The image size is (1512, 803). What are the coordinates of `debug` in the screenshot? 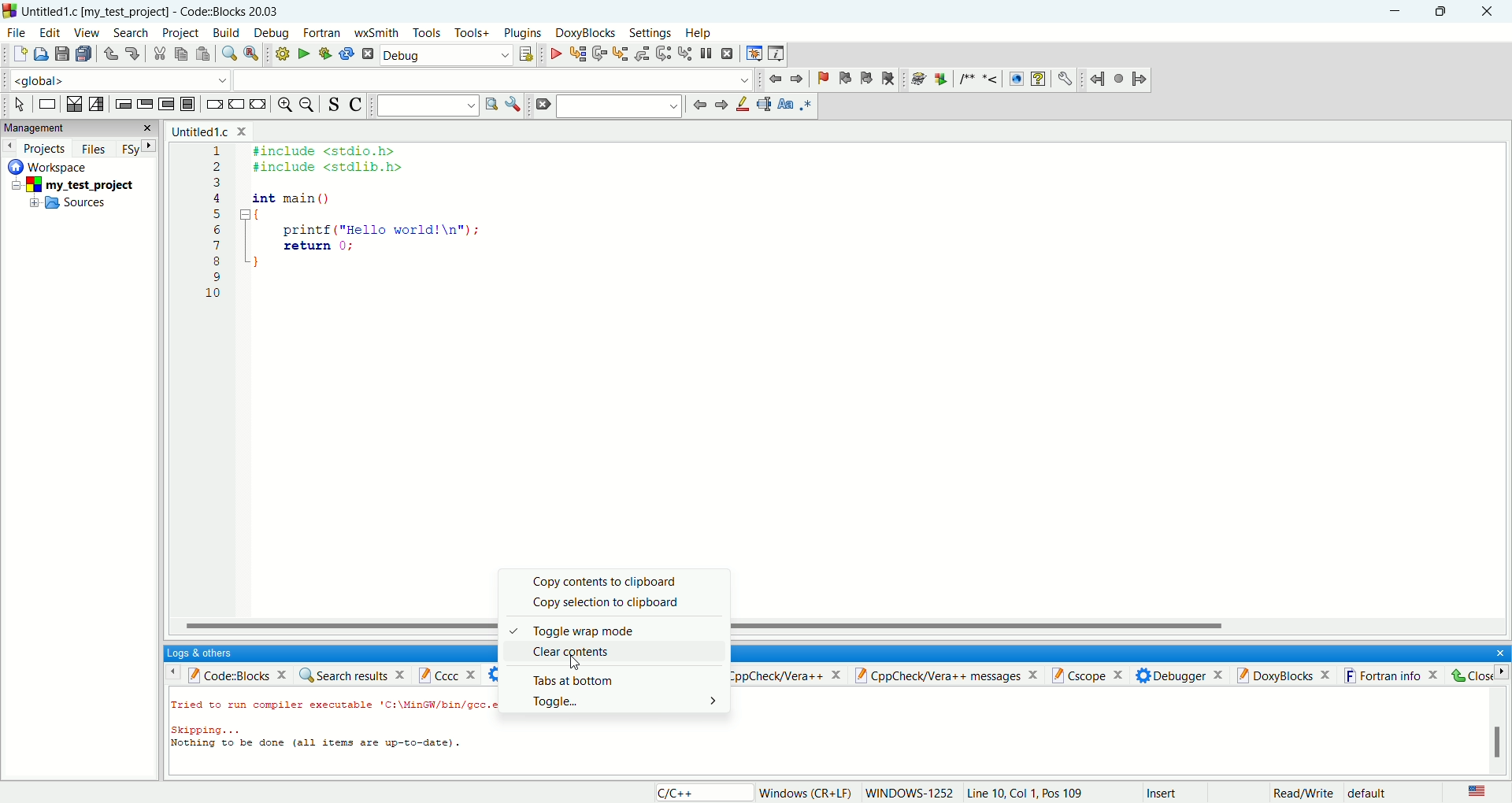 It's located at (553, 54).